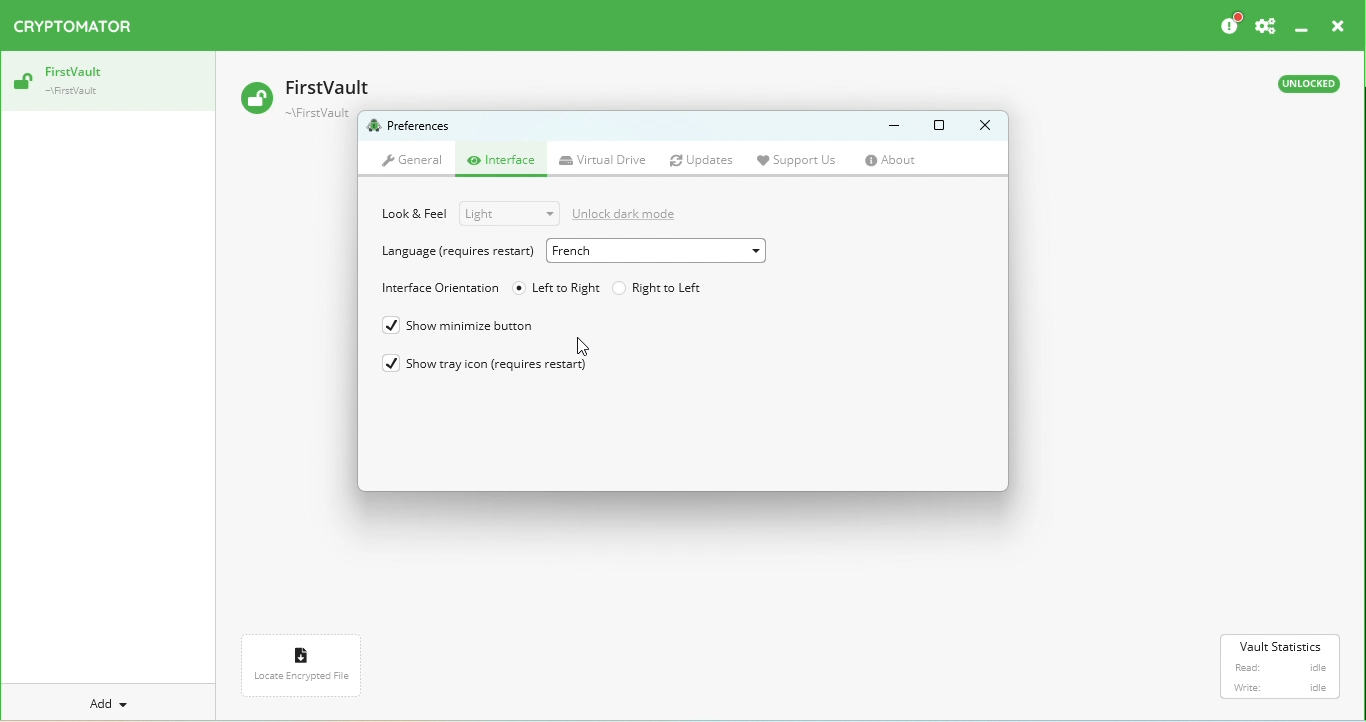  I want to click on Cursor, so click(582, 346).